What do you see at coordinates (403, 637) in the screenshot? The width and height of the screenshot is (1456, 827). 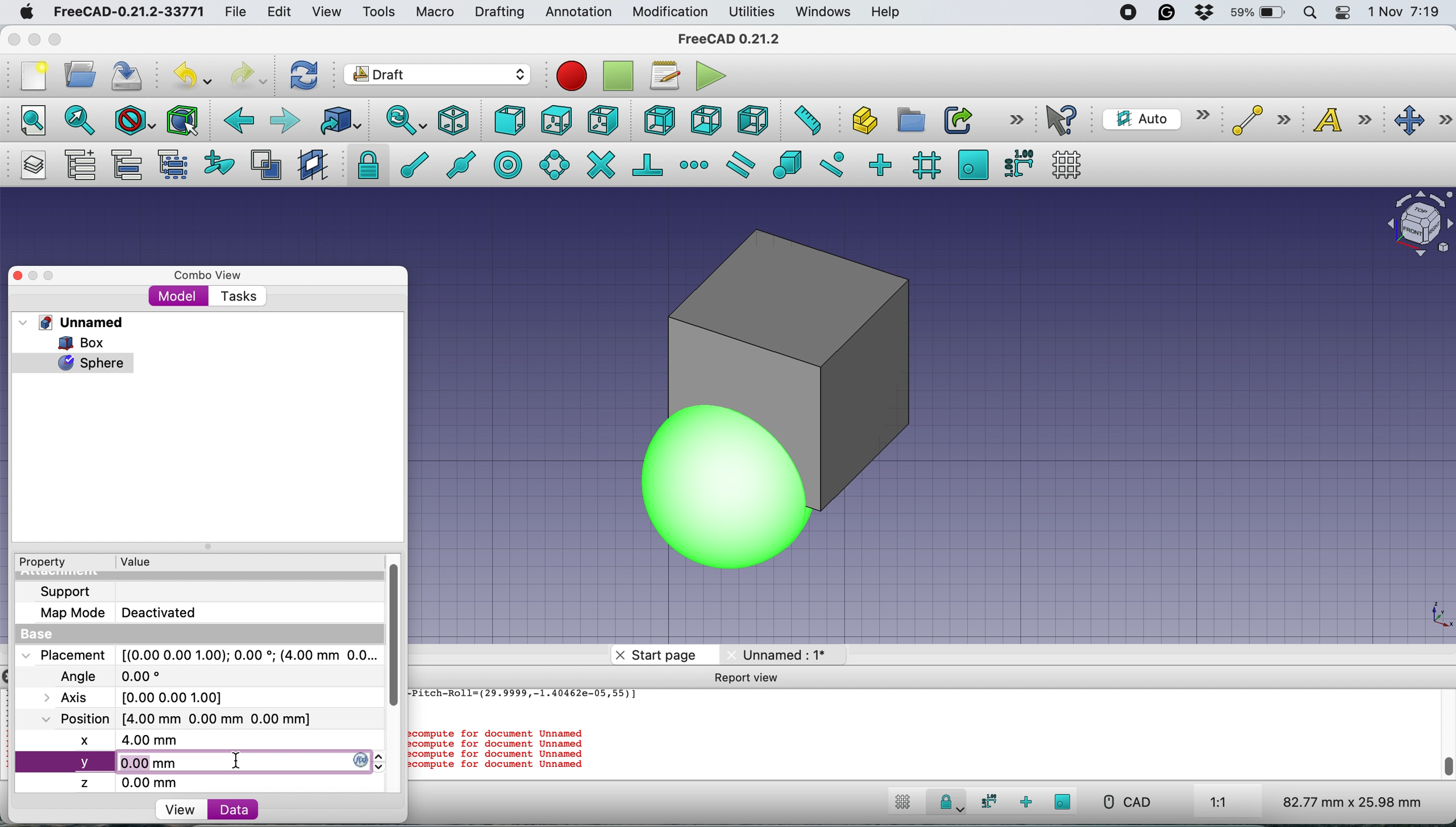 I see `vertical scroll bar` at bounding box center [403, 637].